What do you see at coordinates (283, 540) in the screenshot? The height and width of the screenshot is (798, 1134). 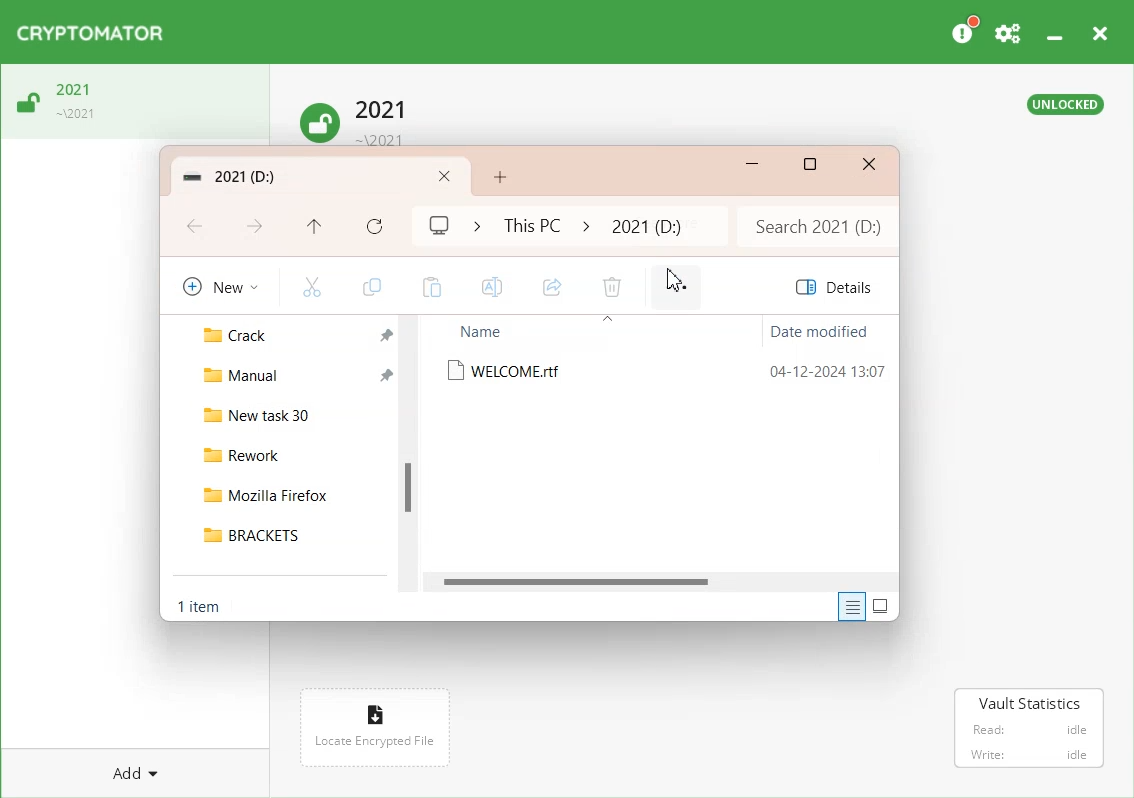 I see `BRACKETS` at bounding box center [283, 540].